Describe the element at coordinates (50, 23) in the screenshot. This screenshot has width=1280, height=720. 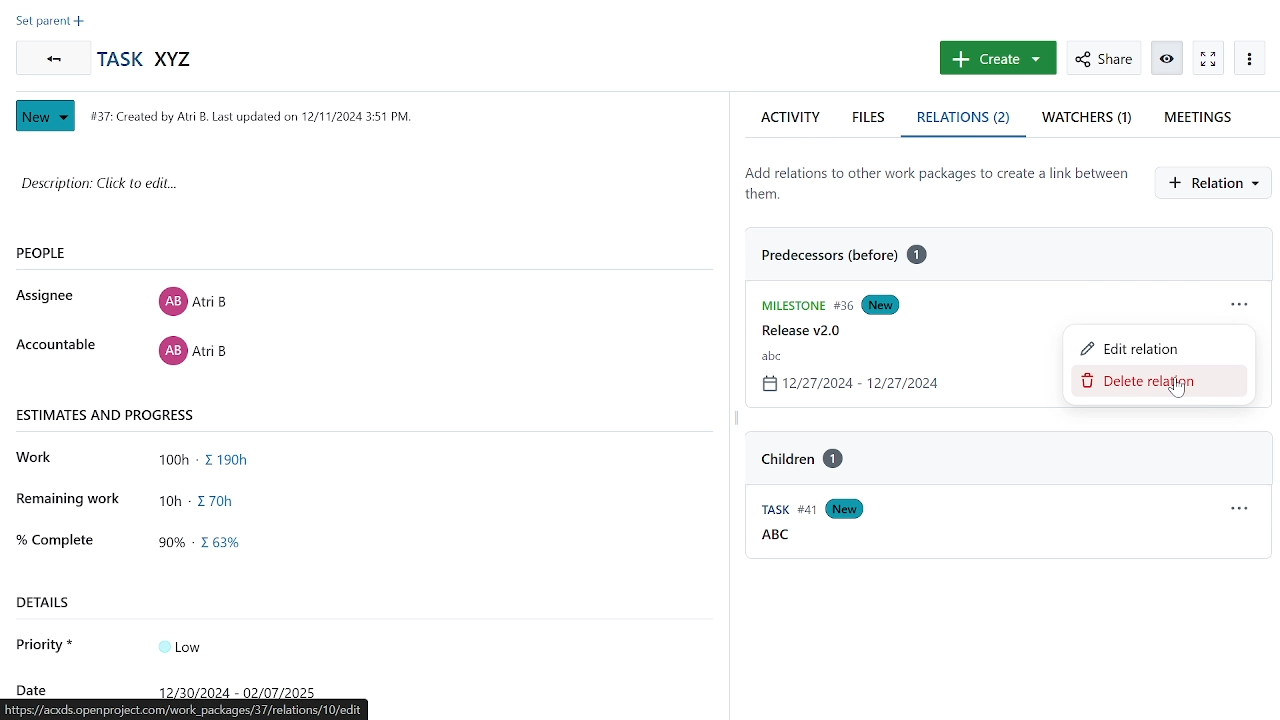
I see `set preset` at that location.